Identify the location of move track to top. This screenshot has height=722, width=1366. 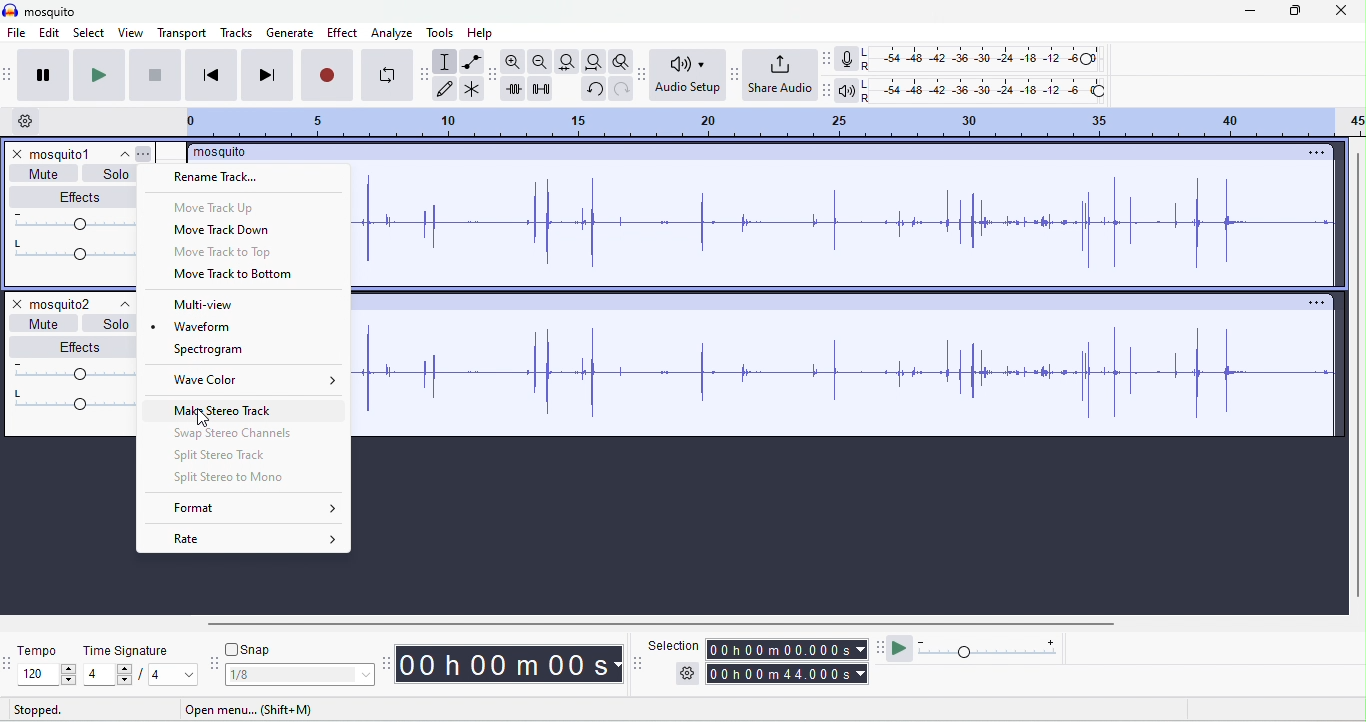
(220, 253).